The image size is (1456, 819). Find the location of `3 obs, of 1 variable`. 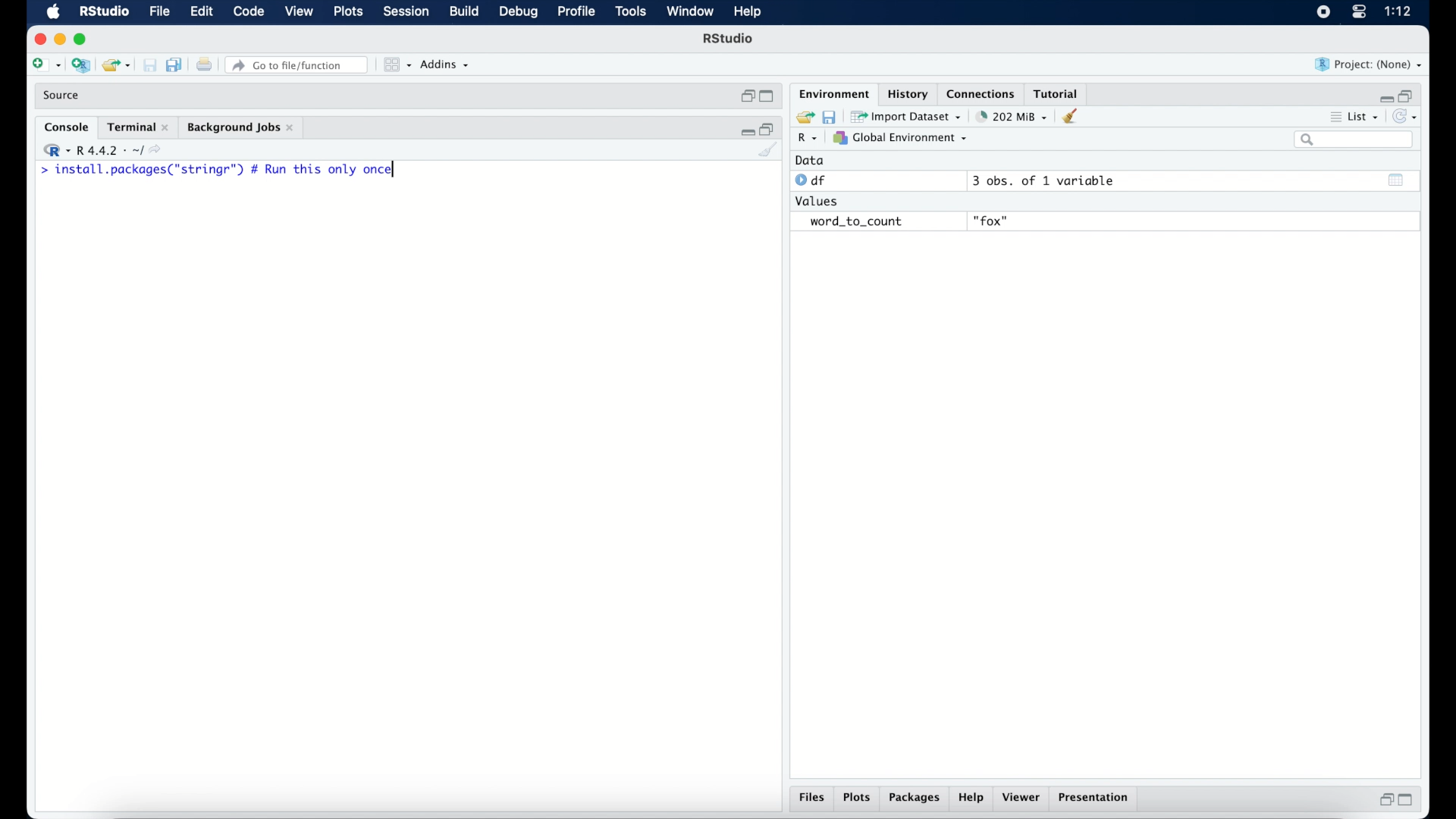

3 obs, of 1 variable is located at coordinates (1050, 180).